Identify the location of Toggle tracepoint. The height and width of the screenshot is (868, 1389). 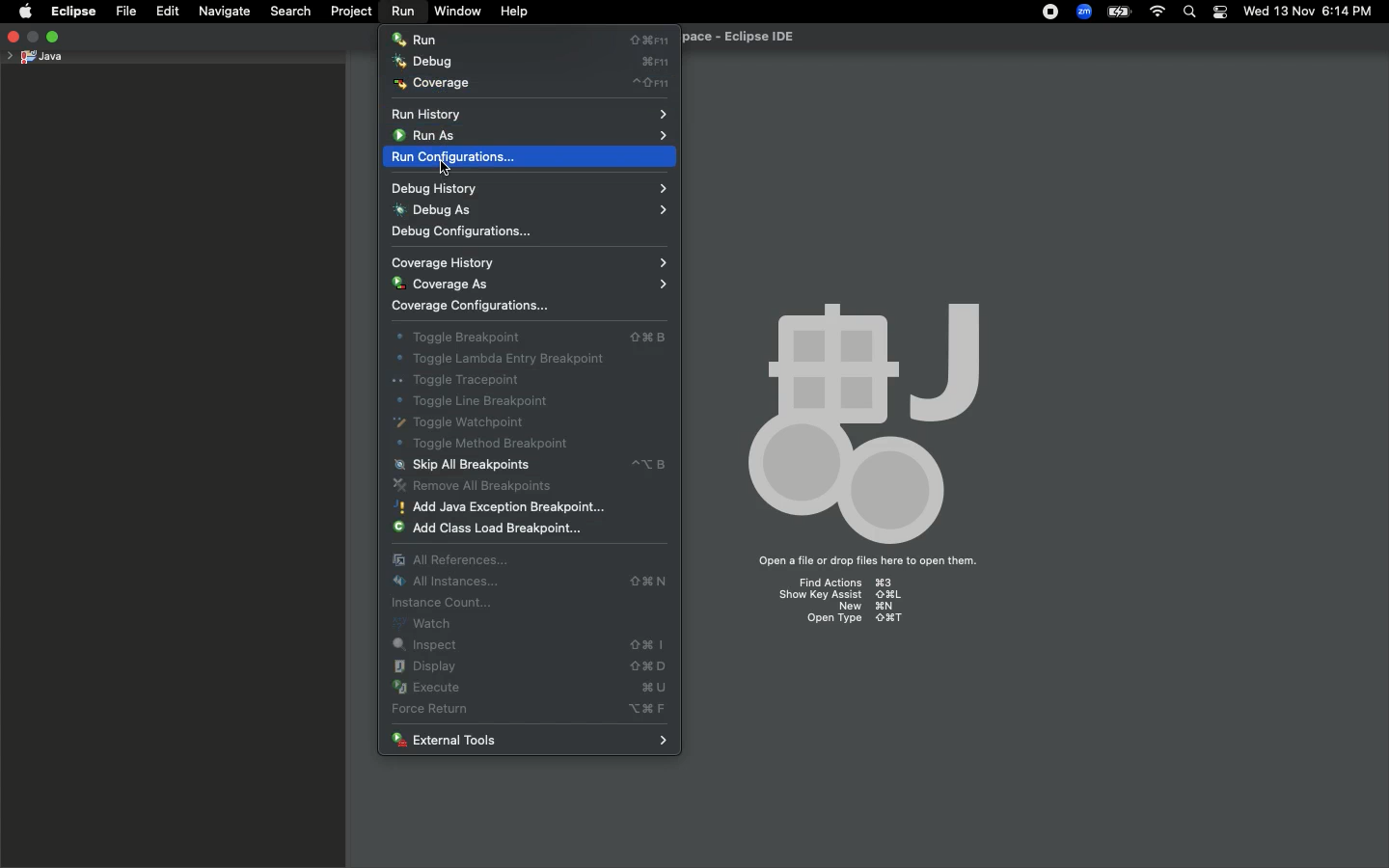
(462, 379).